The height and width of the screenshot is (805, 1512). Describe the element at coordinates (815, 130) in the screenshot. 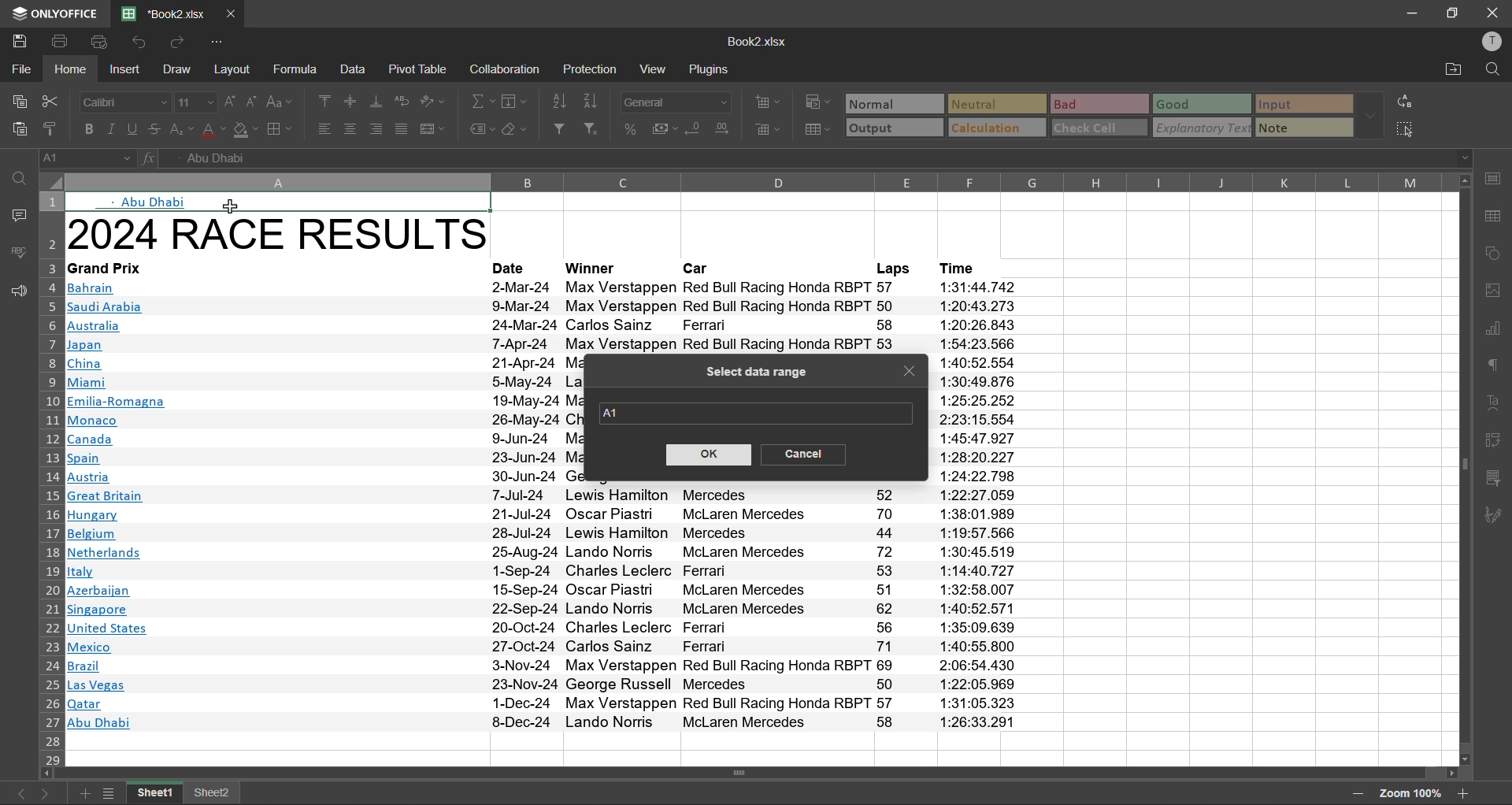

I see `format as table` at that location.